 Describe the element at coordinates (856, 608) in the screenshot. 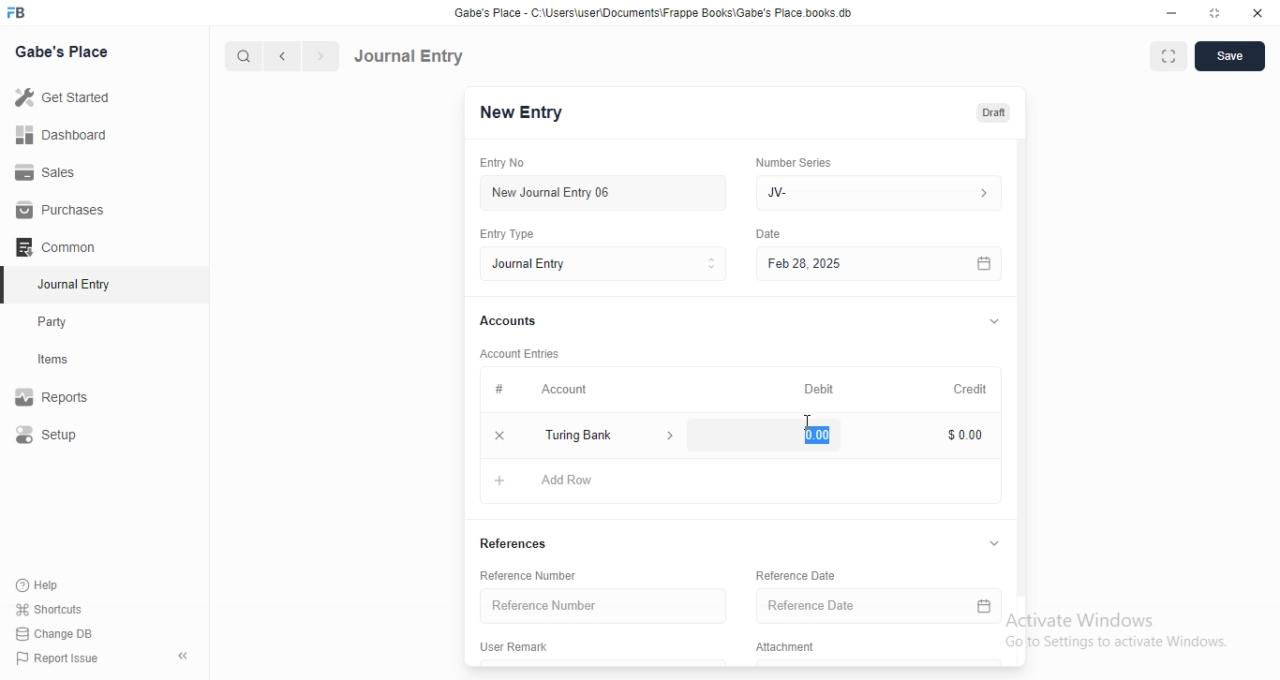

I see `Reference Date` at that location.